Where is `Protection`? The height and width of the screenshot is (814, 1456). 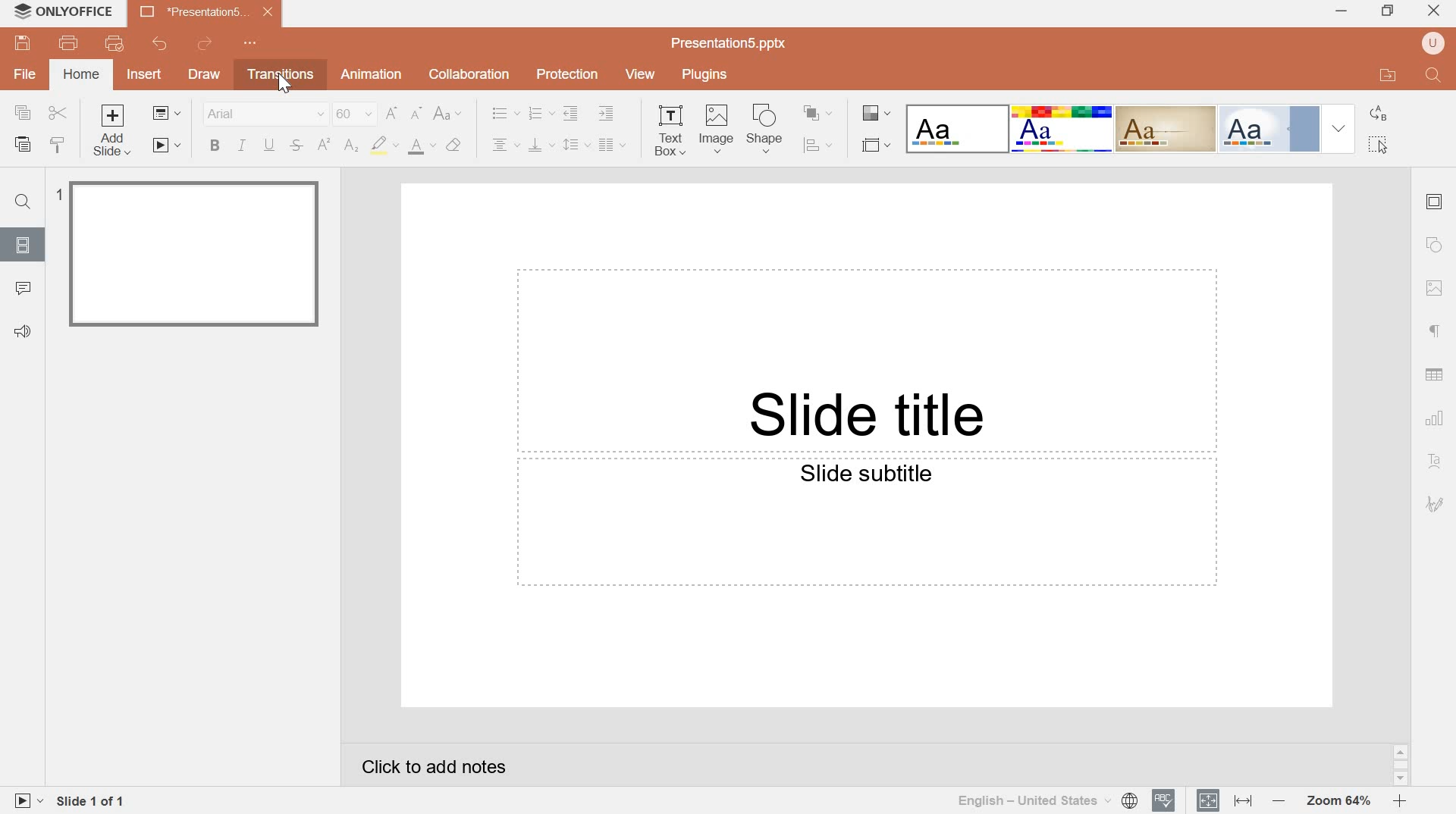
Protection is located at coordinates (569, 75).